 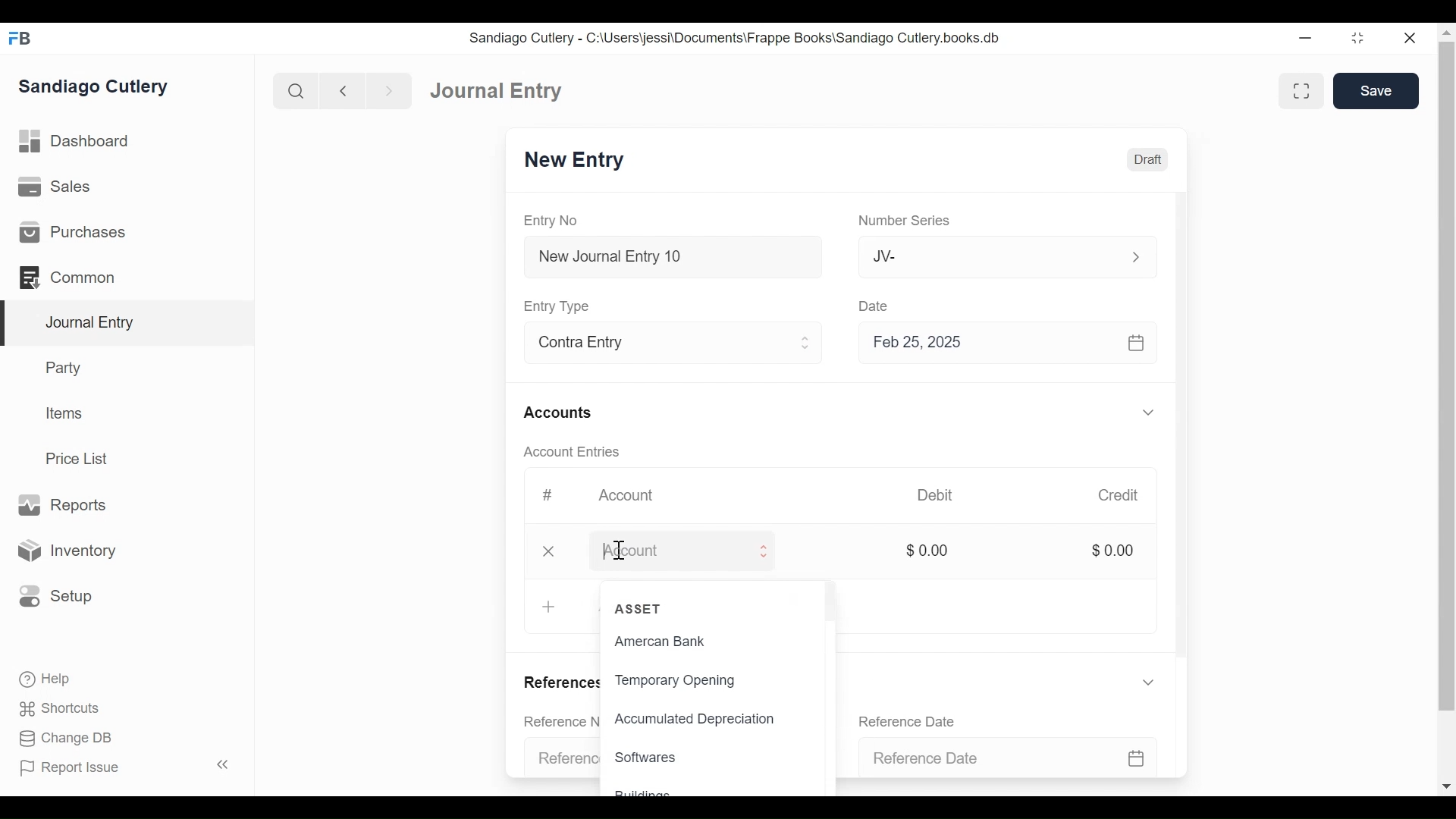 What do you see at coordinates (551, 605) in the screenshot?
I see `+` at bounding box center [551, 605].